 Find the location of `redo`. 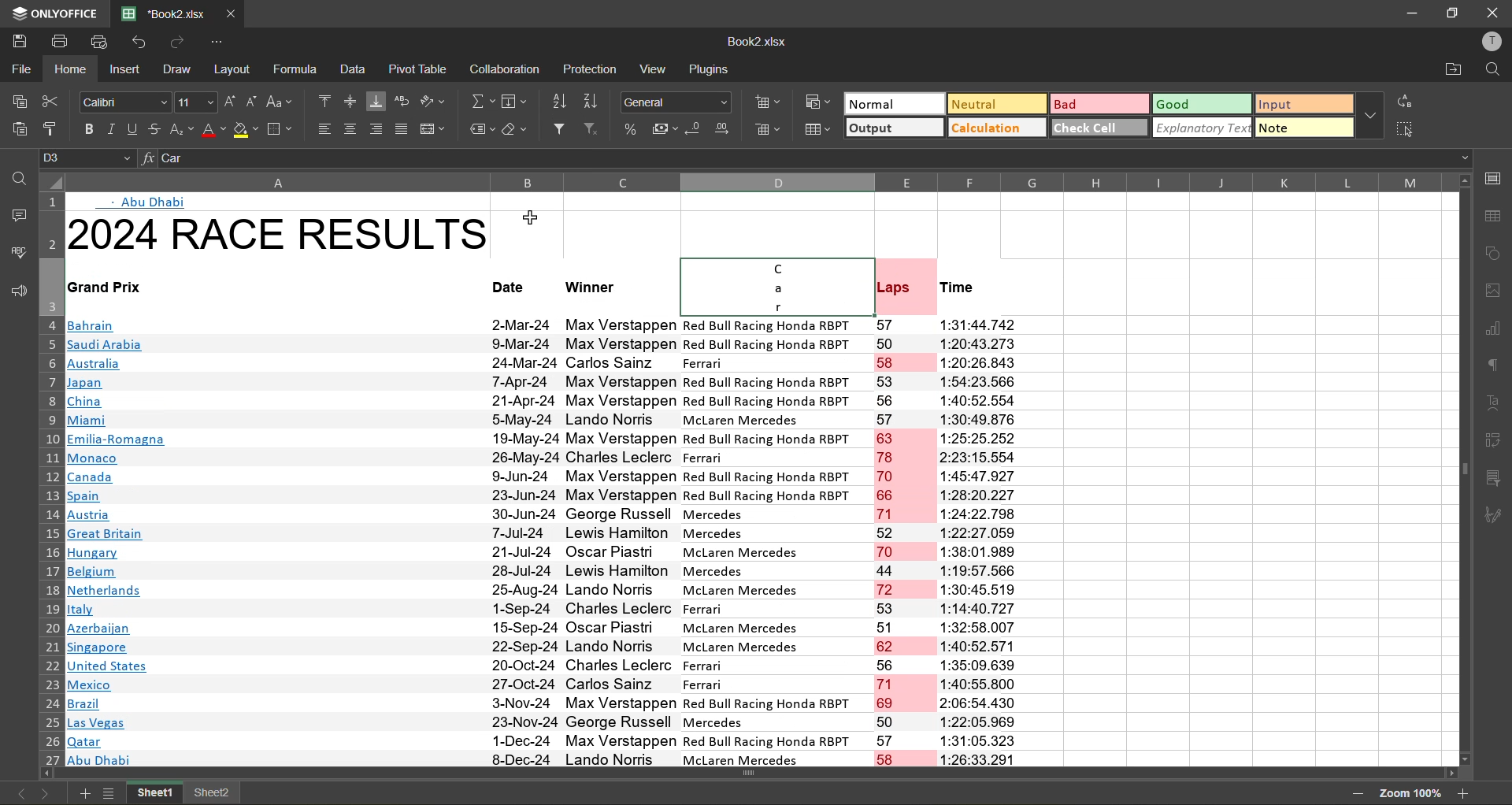

redo is located at coordinates (178, 43).